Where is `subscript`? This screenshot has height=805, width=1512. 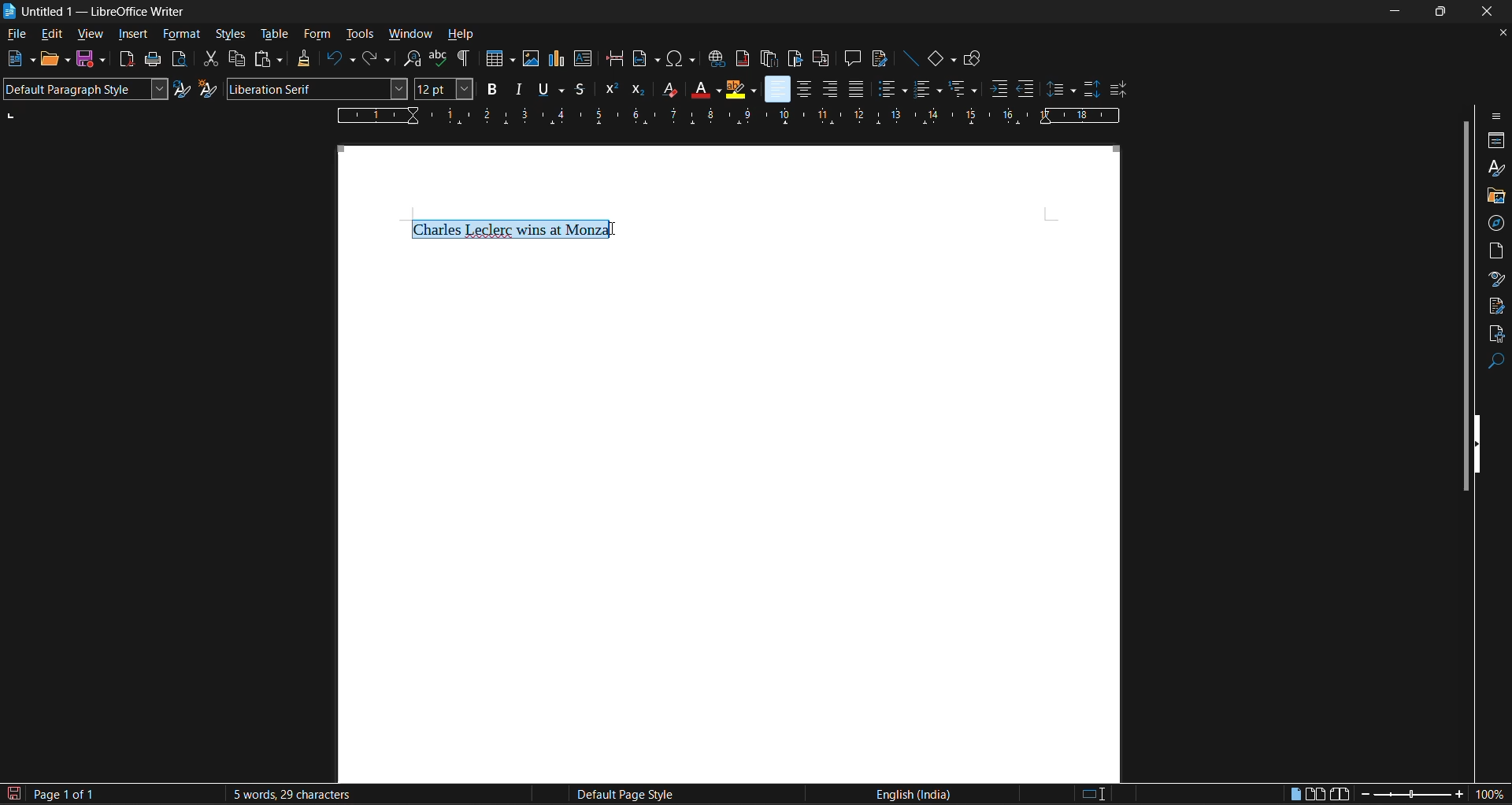 subscript is located at coordinates (639, 90).